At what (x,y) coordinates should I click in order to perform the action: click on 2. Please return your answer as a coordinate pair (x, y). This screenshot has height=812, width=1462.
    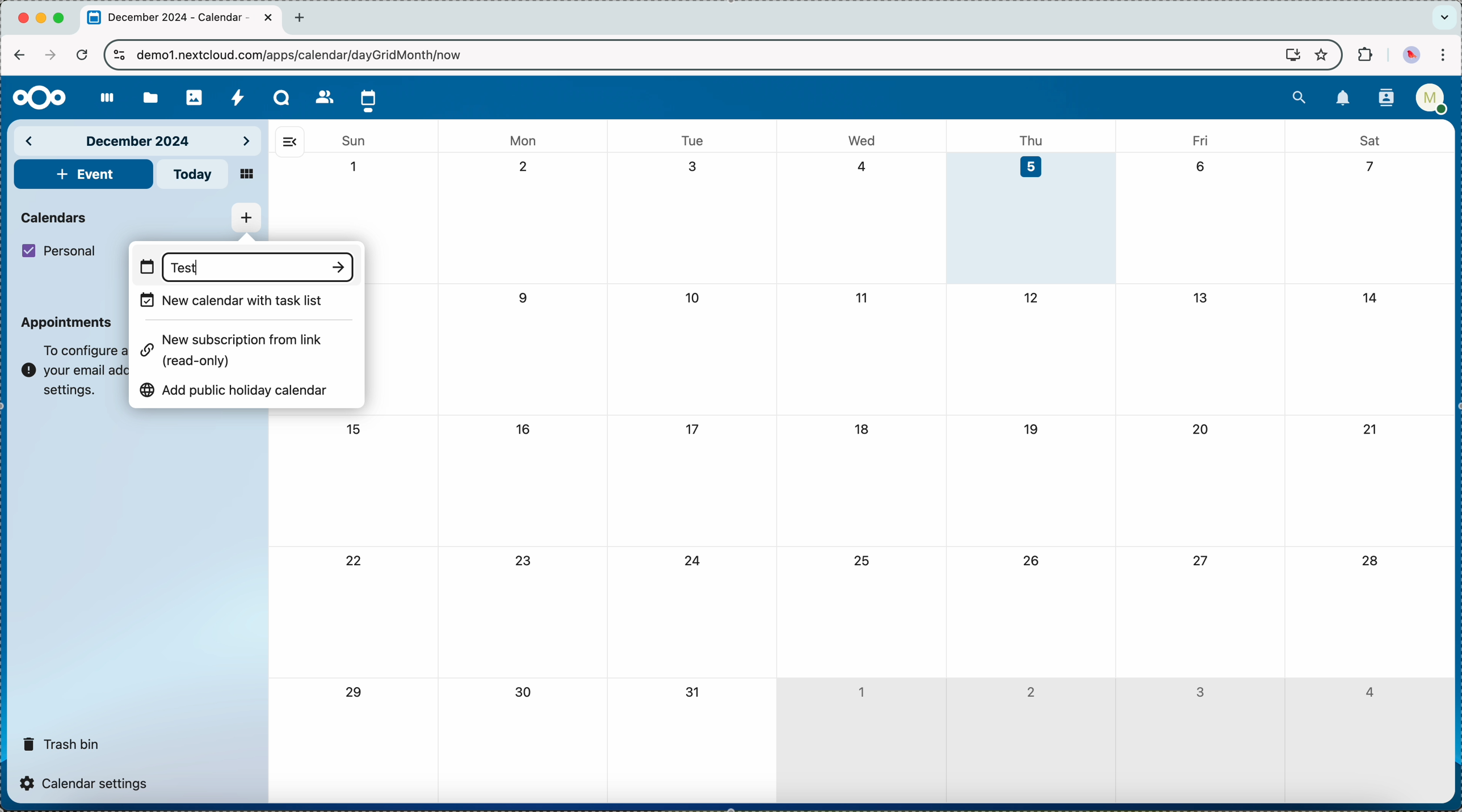
    Looking at the image, I should click on (1031, 691).